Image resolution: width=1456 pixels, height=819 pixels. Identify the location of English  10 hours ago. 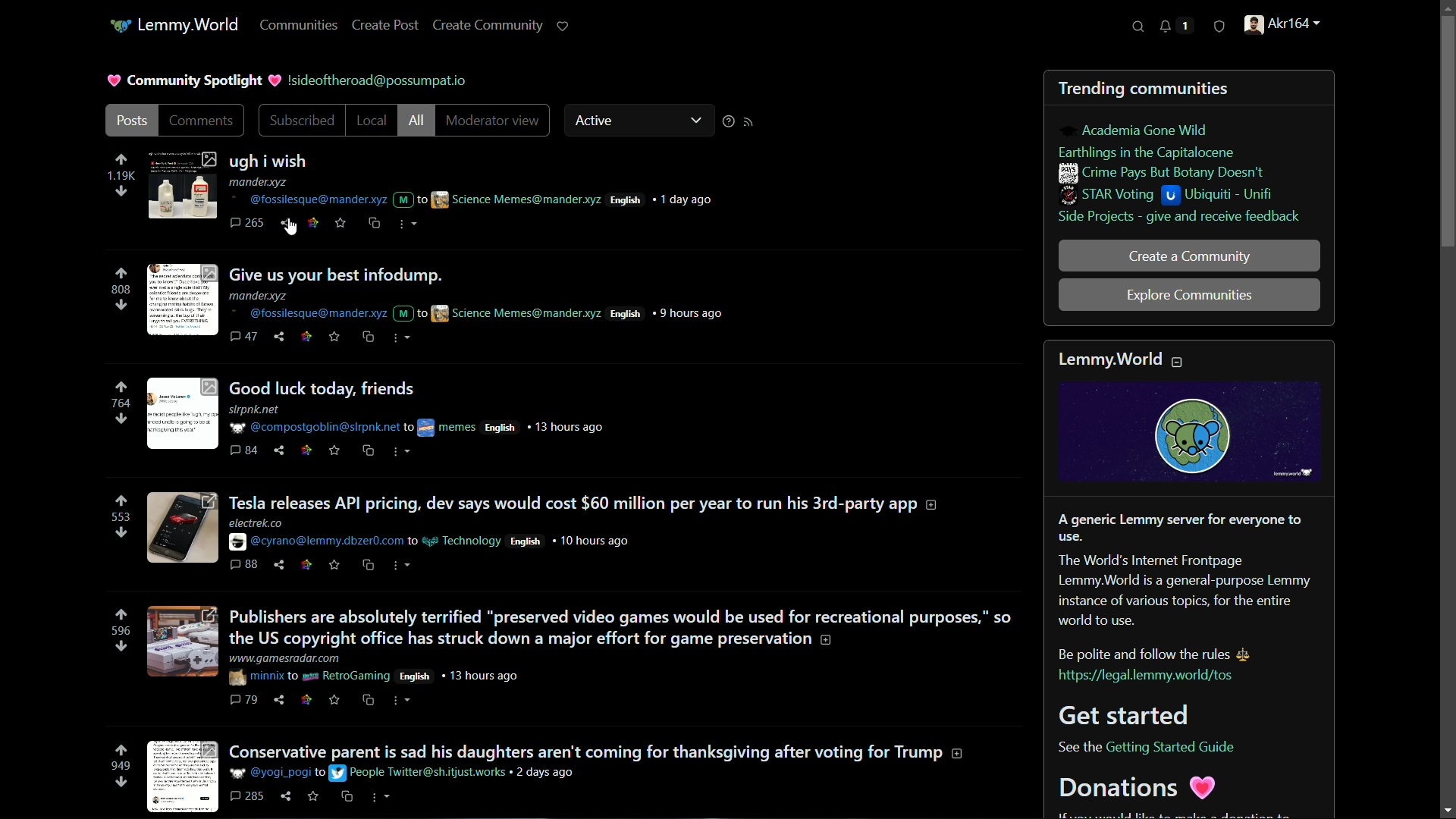
(569, 542).